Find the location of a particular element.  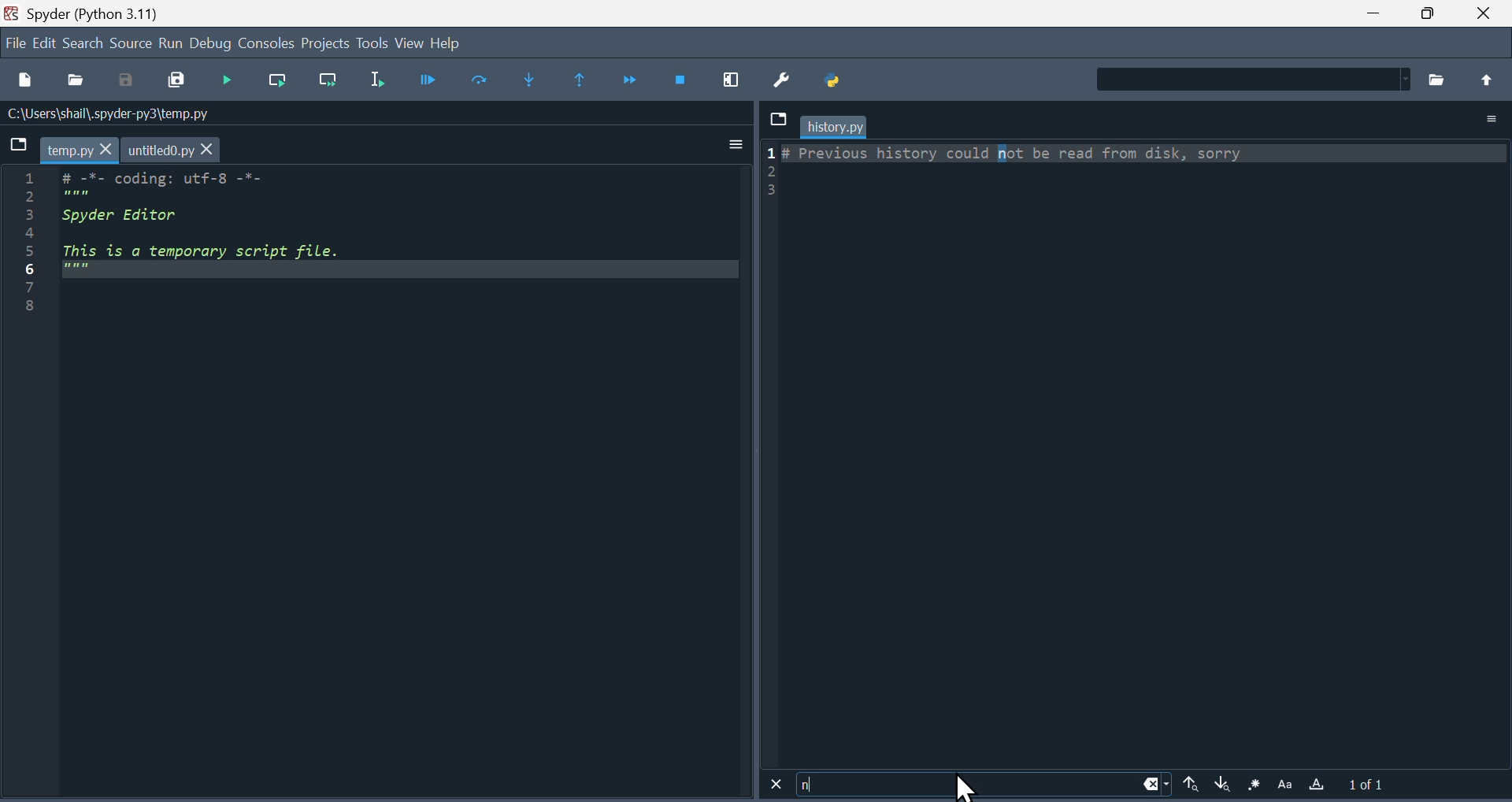

Font is located at coordinates (1287, 785).